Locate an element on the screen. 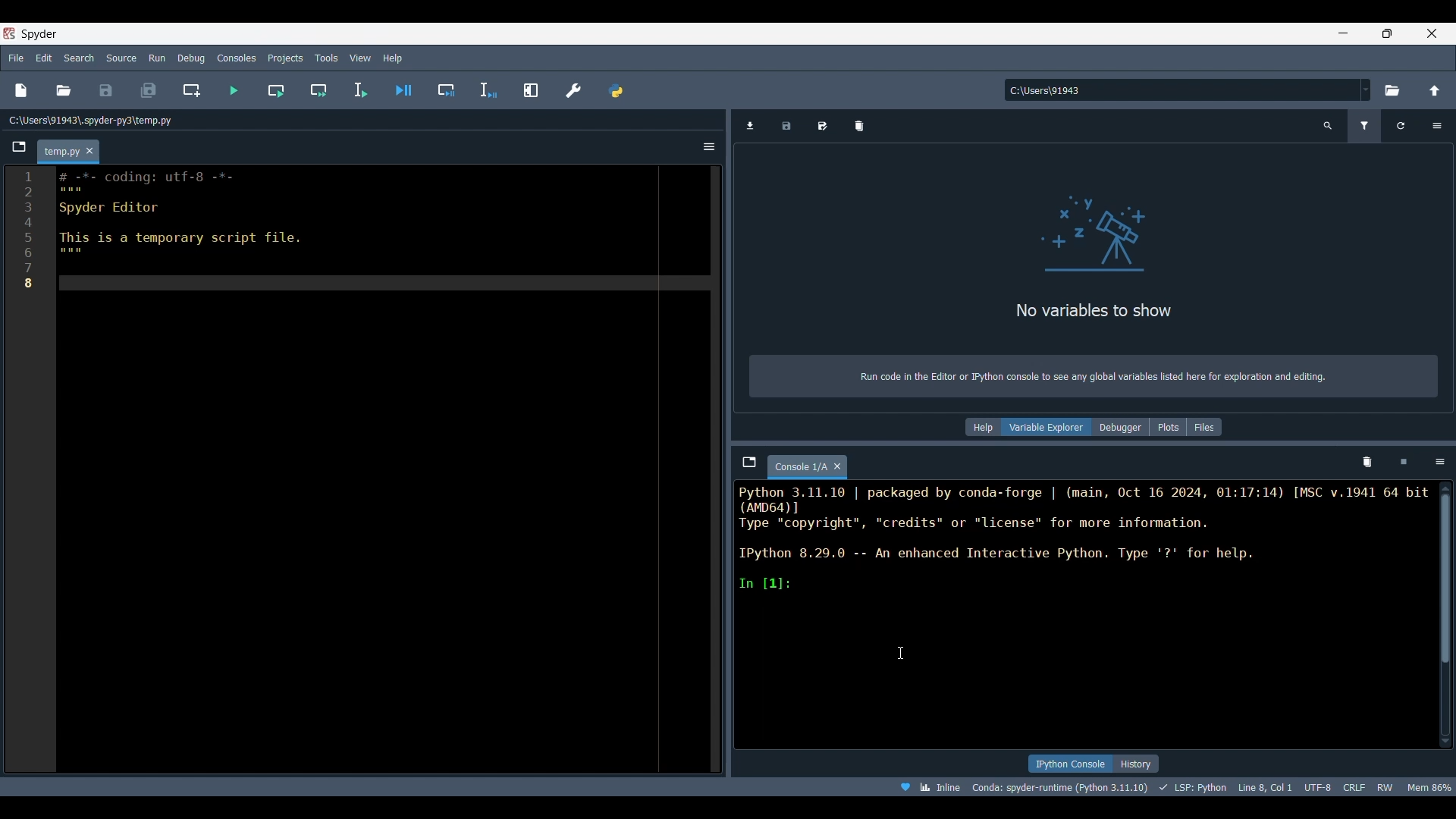 Image resolution: width=1456 pixels, height=819 pixels. editor pane is located at coordinates (338, 232).